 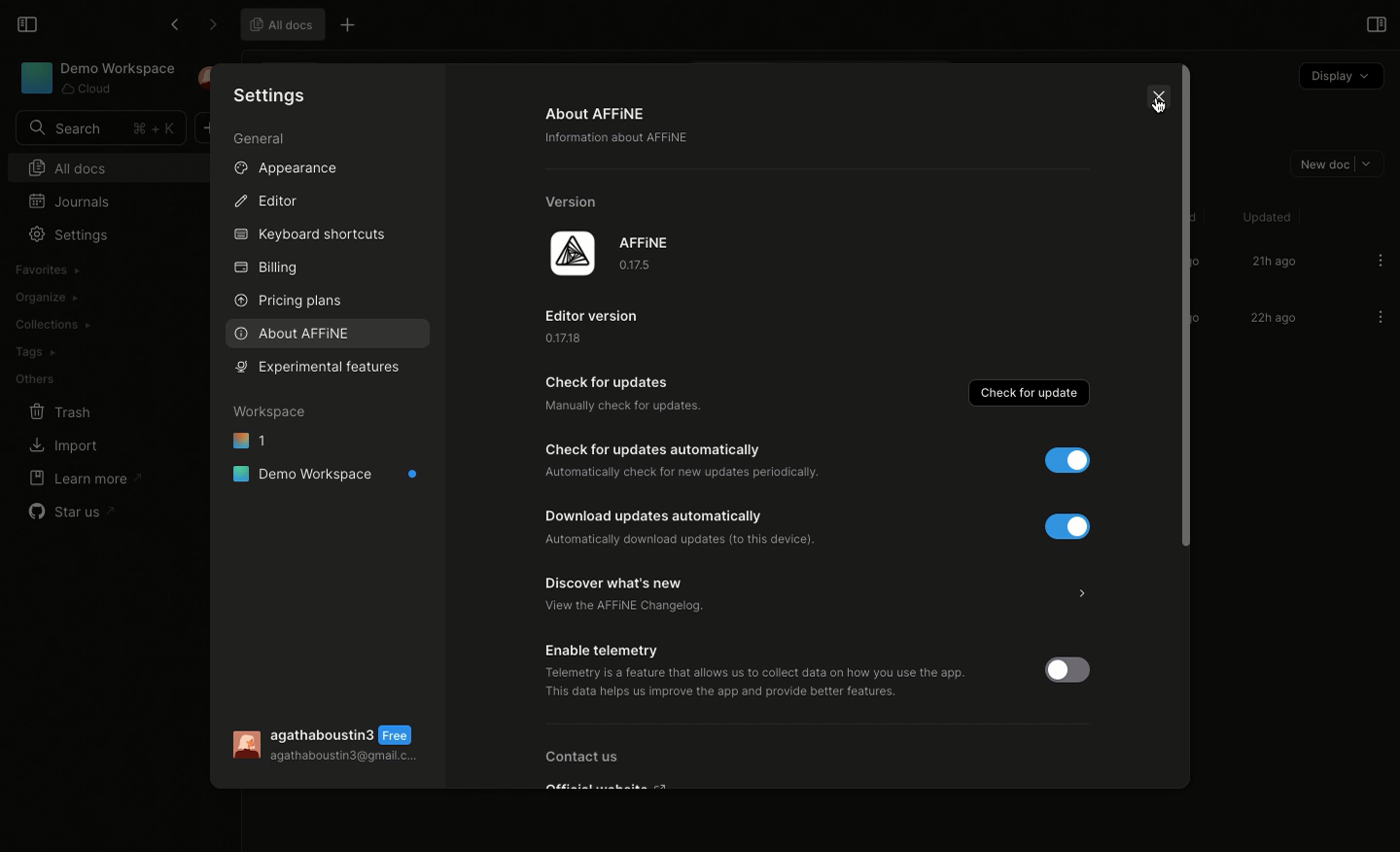 I want to click on 21h ago, so click(x=1273, y=263).